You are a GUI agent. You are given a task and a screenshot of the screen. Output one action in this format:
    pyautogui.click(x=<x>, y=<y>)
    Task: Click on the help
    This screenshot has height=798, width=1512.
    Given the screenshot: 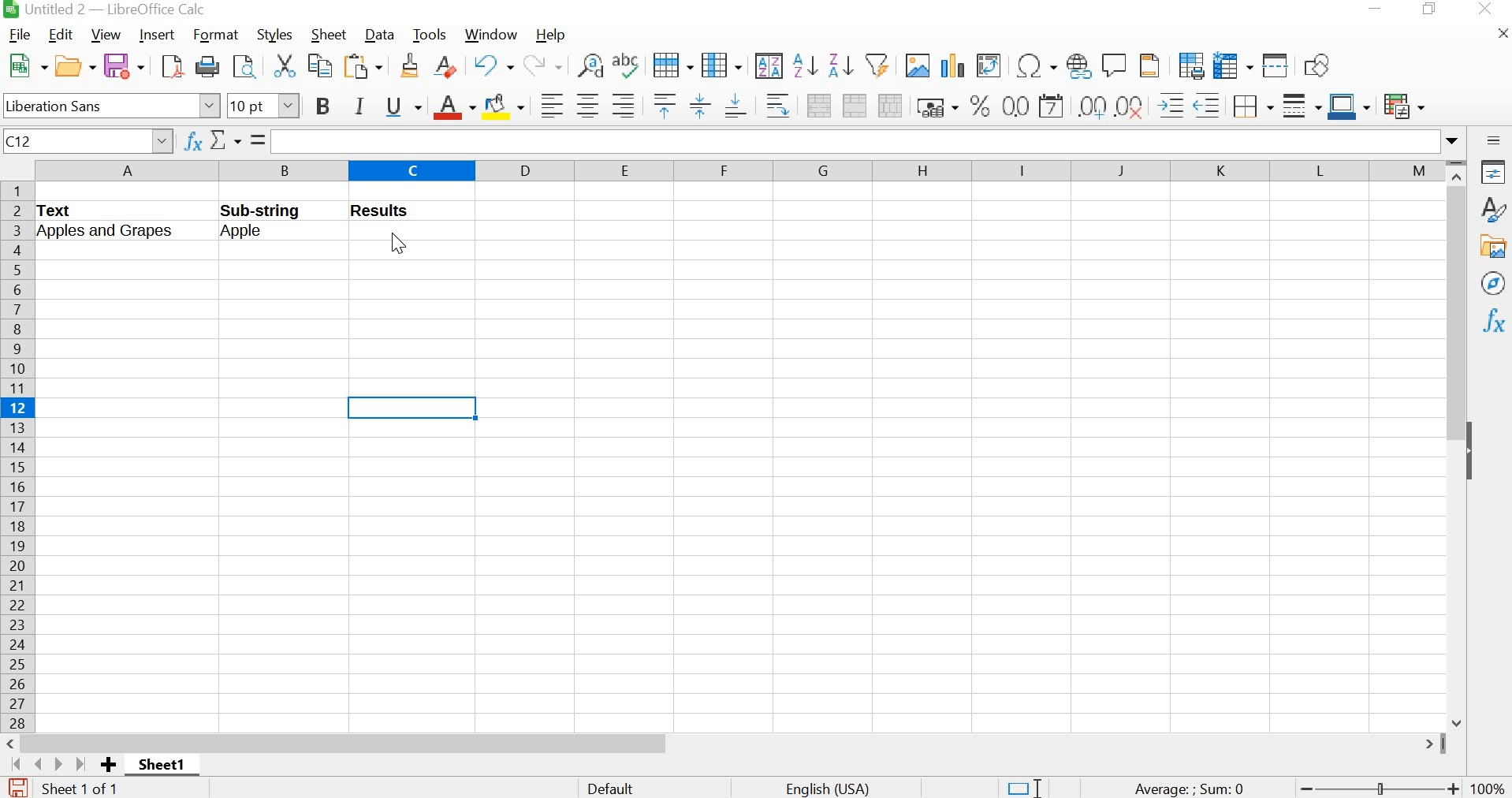 What is the action you would take?
    pyautogui.click(x=555, y=34)
    